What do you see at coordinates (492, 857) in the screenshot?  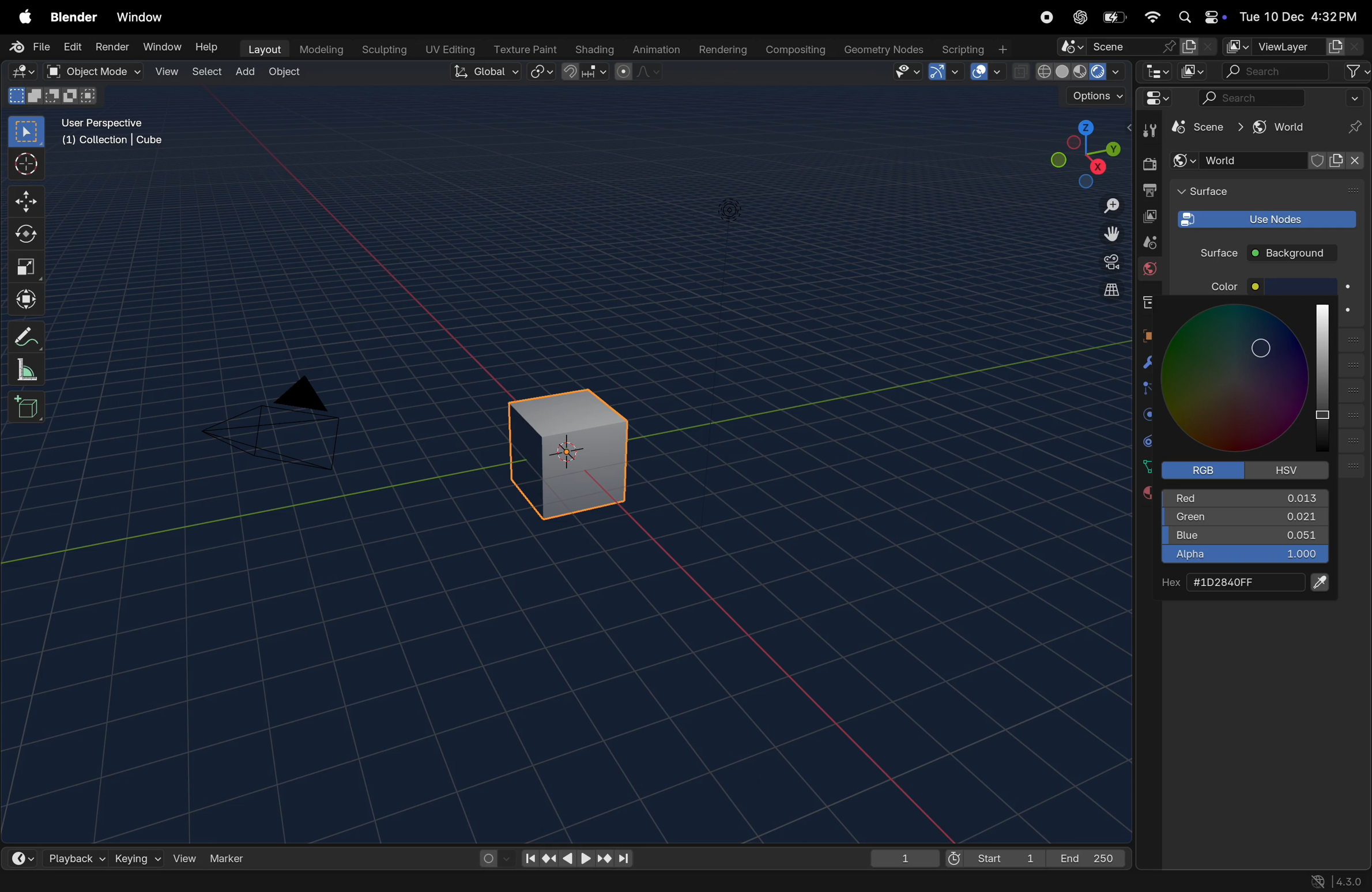 I see `auto keying` at bounding box center [492, 857].